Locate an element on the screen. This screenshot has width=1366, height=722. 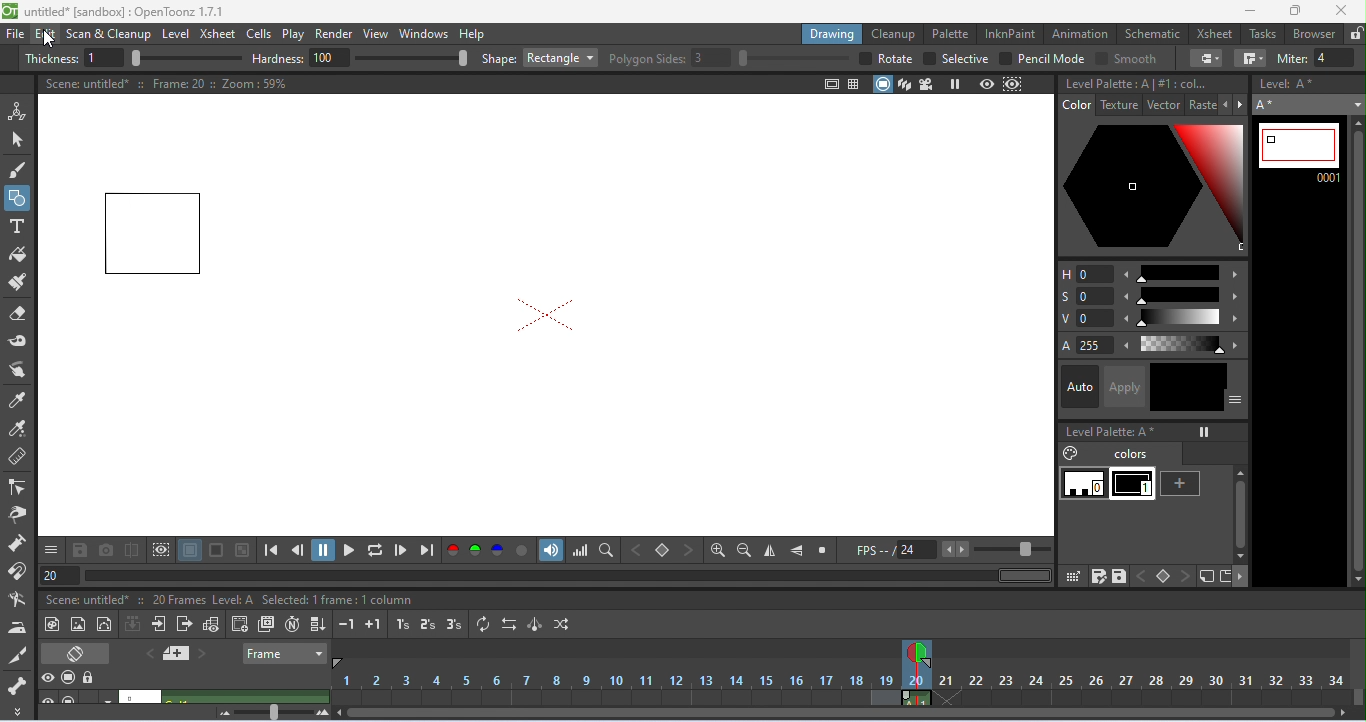
camera stand view is located at coordinates (880, 84).